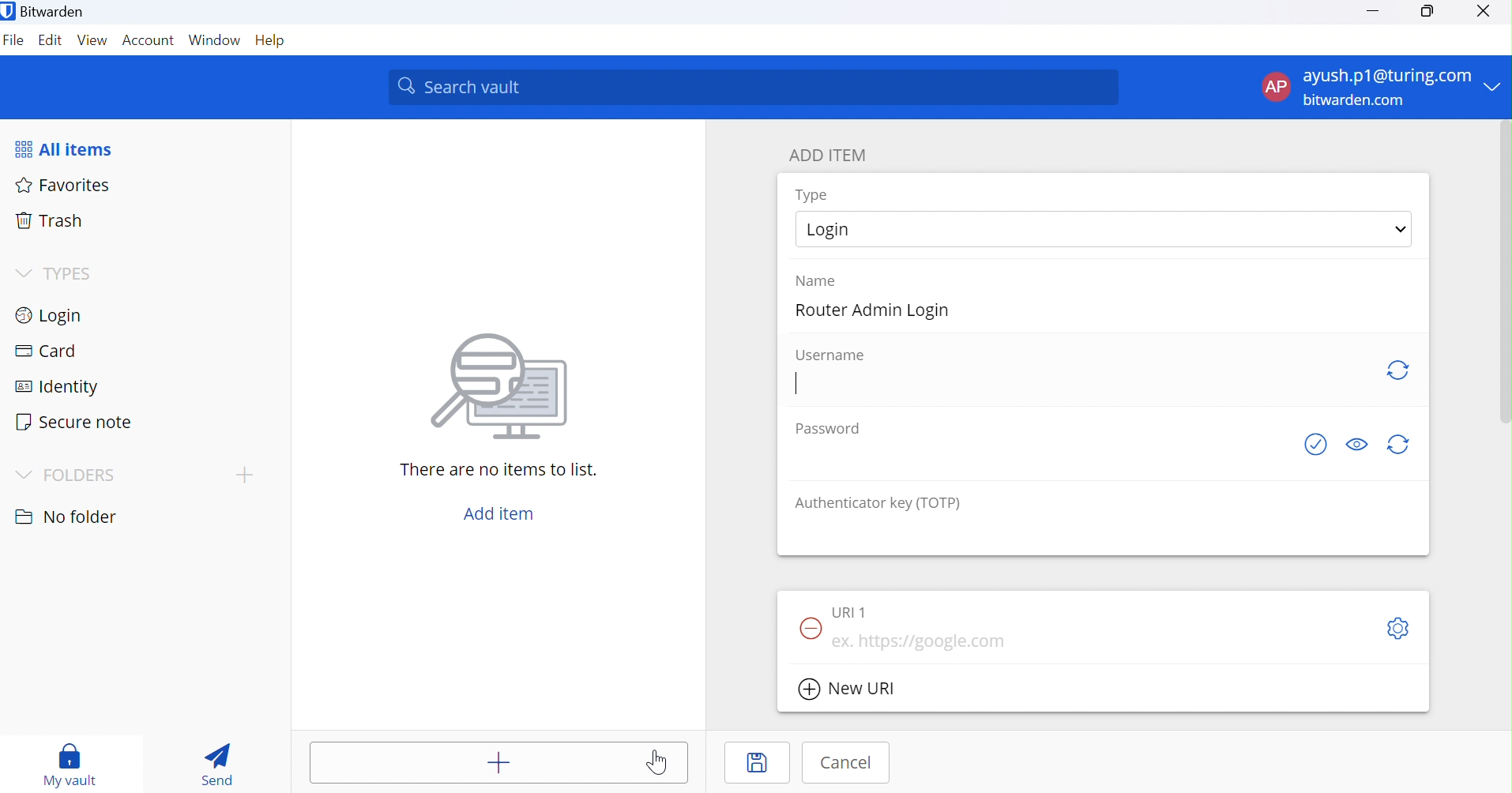  Describe the element at coordinates (1356, 443) in the screenshot. I see `Toggle visibility` at that location.